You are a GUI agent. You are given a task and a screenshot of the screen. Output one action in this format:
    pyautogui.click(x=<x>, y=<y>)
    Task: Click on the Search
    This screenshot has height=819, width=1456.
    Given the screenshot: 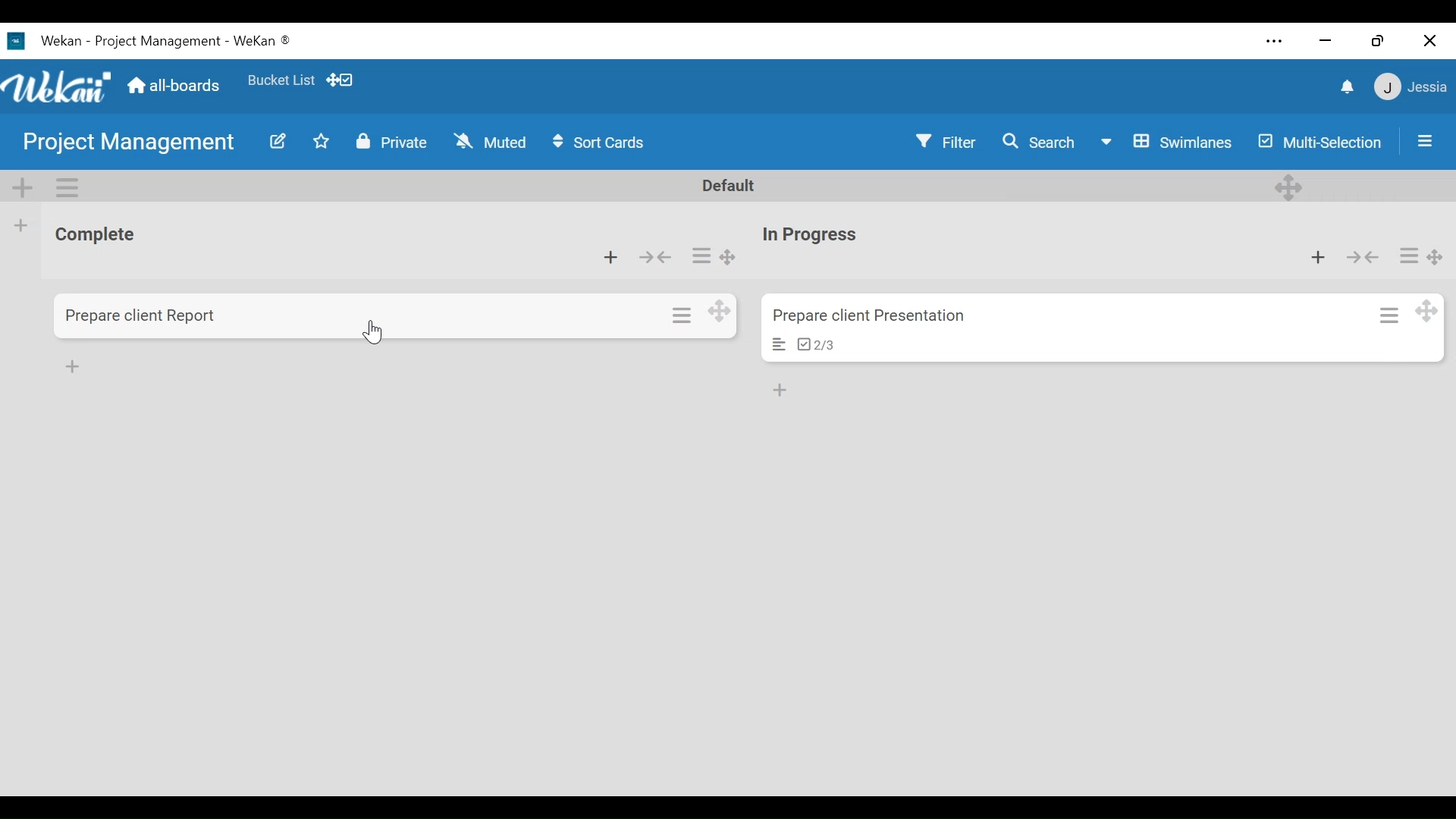 What is the action you would take?
    pyautogui.click(x=1038, y=142)
    